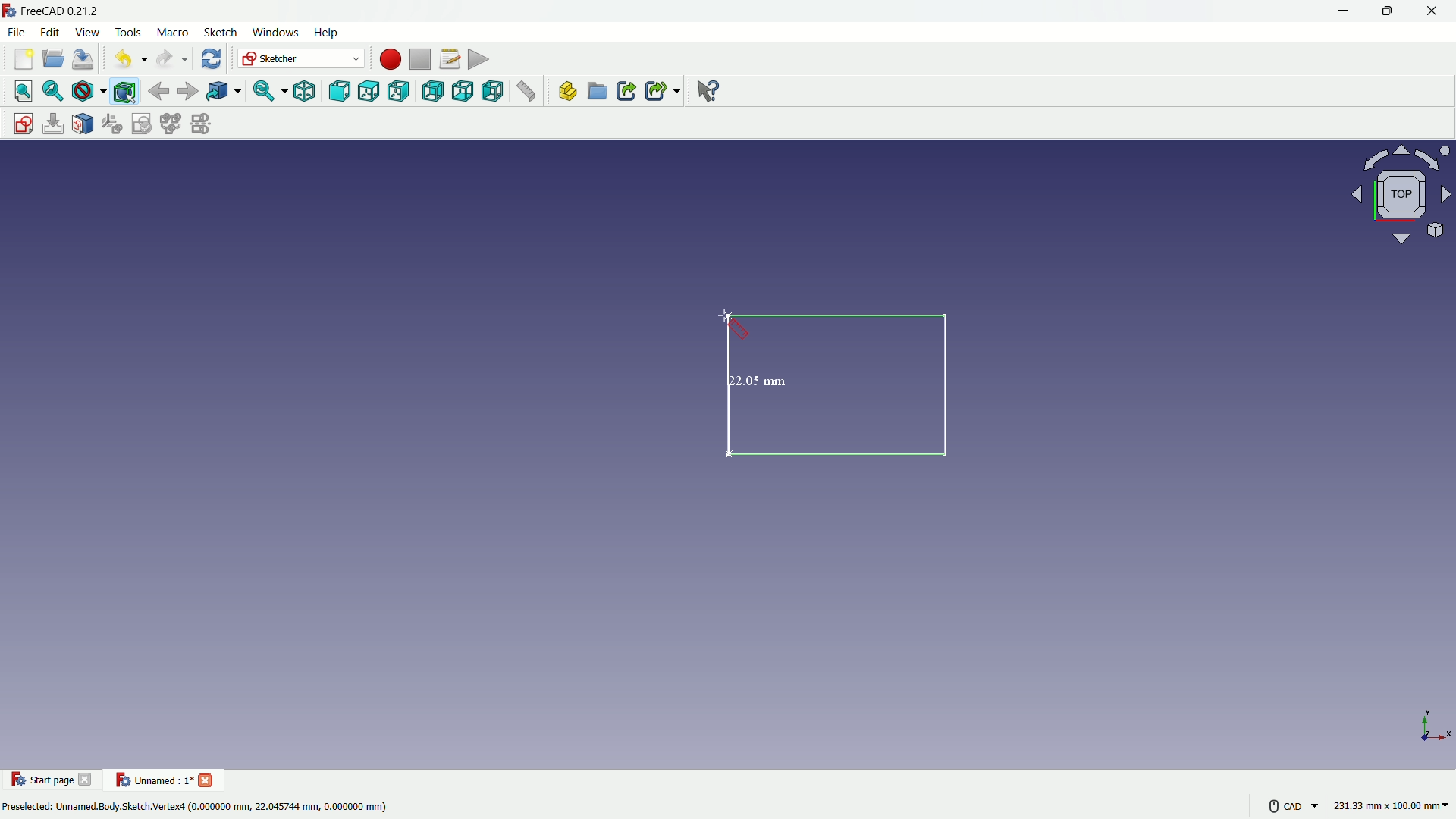 Image resolution: width=1456 pixels, height=819 pixels. I want to click on undo, so click(126, 60).